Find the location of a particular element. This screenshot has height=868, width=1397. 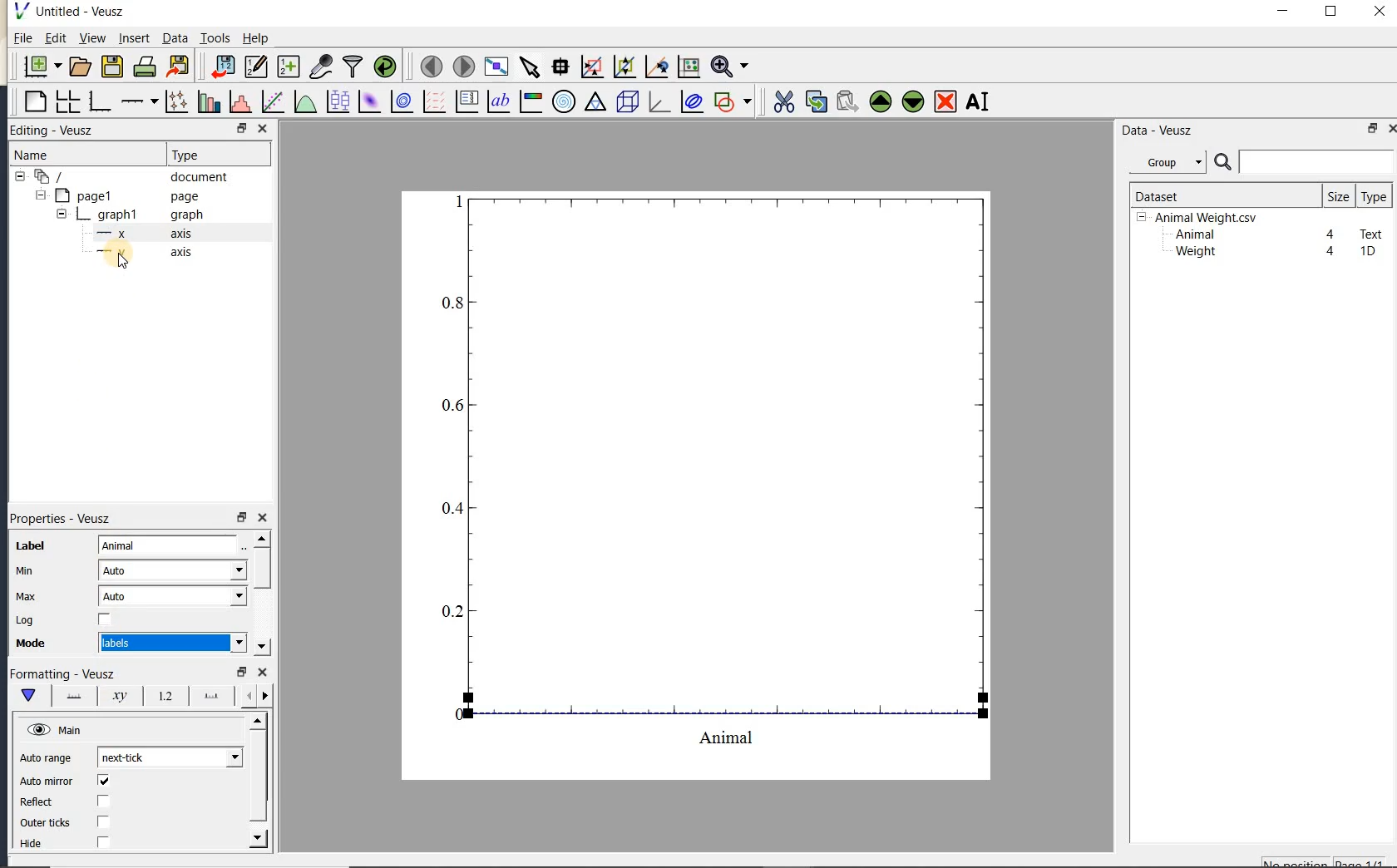

axis is located at coordinates (141, 253).